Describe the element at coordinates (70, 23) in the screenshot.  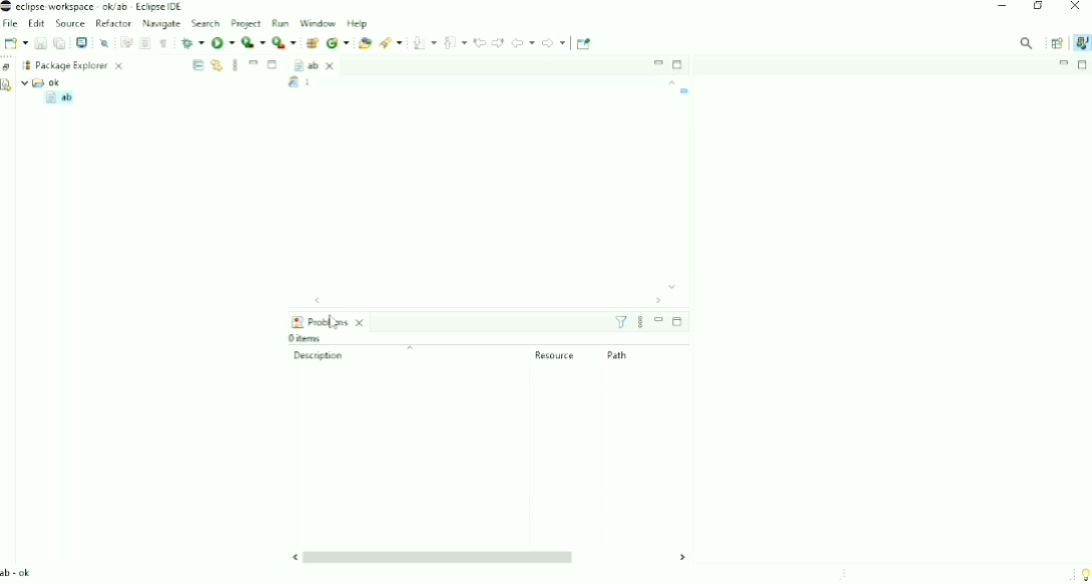
I see `Source` at that location.